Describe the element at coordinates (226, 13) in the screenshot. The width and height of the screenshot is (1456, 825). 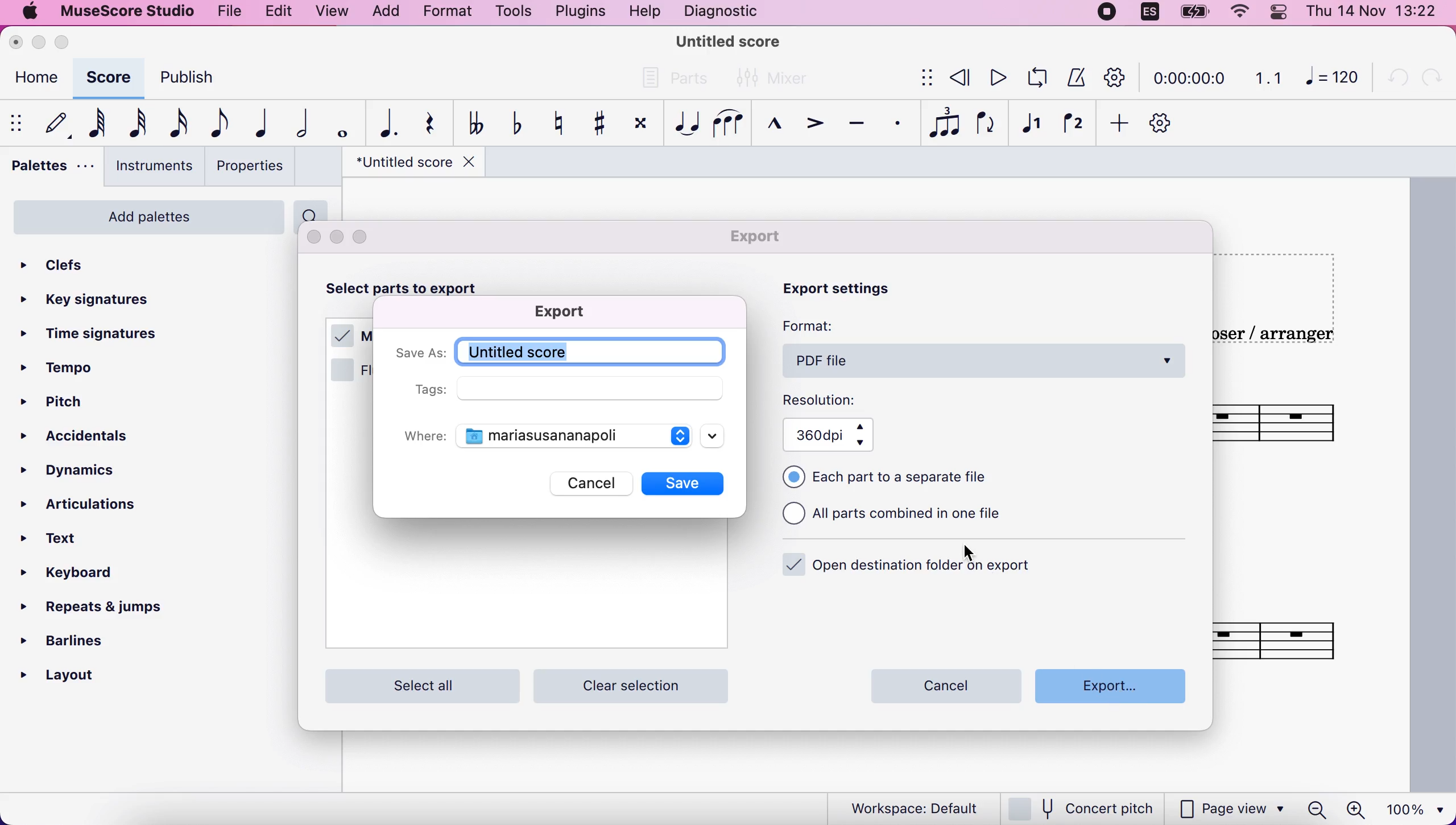
I see `file` at that location.